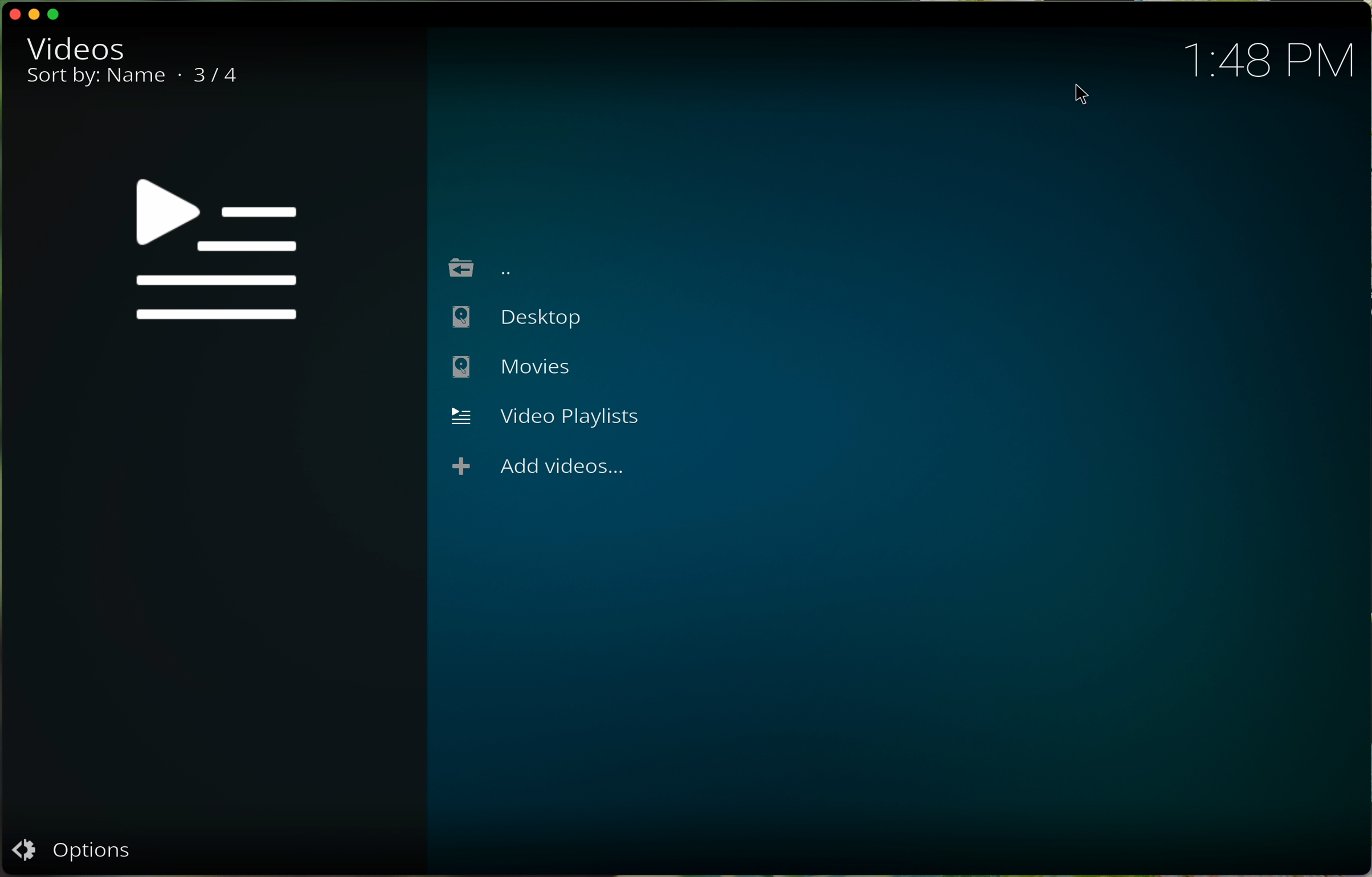  What do you see at coordinates (552, 415) in the screenshot?
I see `video playlist` at bounding box center [552, 415].